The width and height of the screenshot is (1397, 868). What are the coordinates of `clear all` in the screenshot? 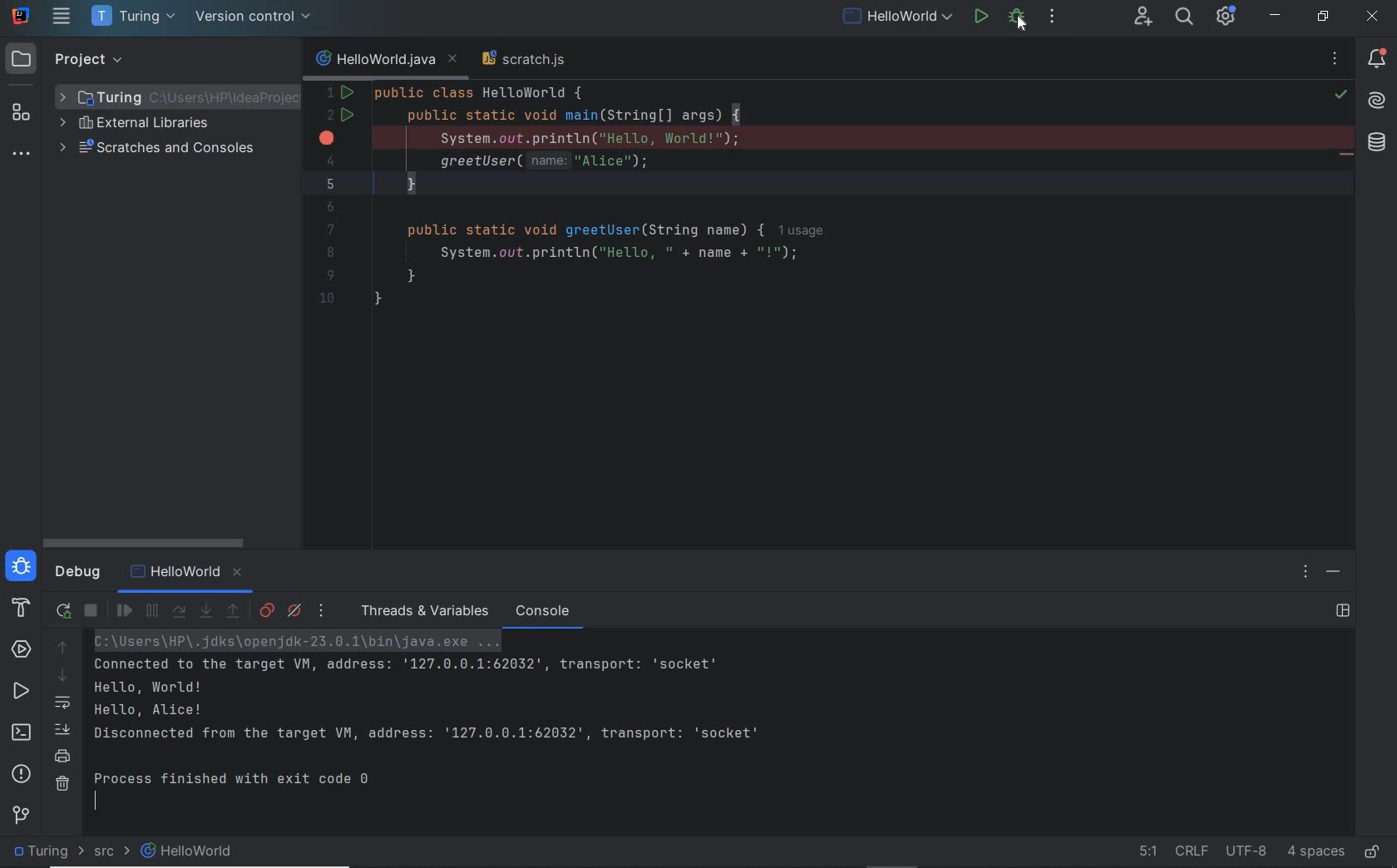 It's located at (62, 787).